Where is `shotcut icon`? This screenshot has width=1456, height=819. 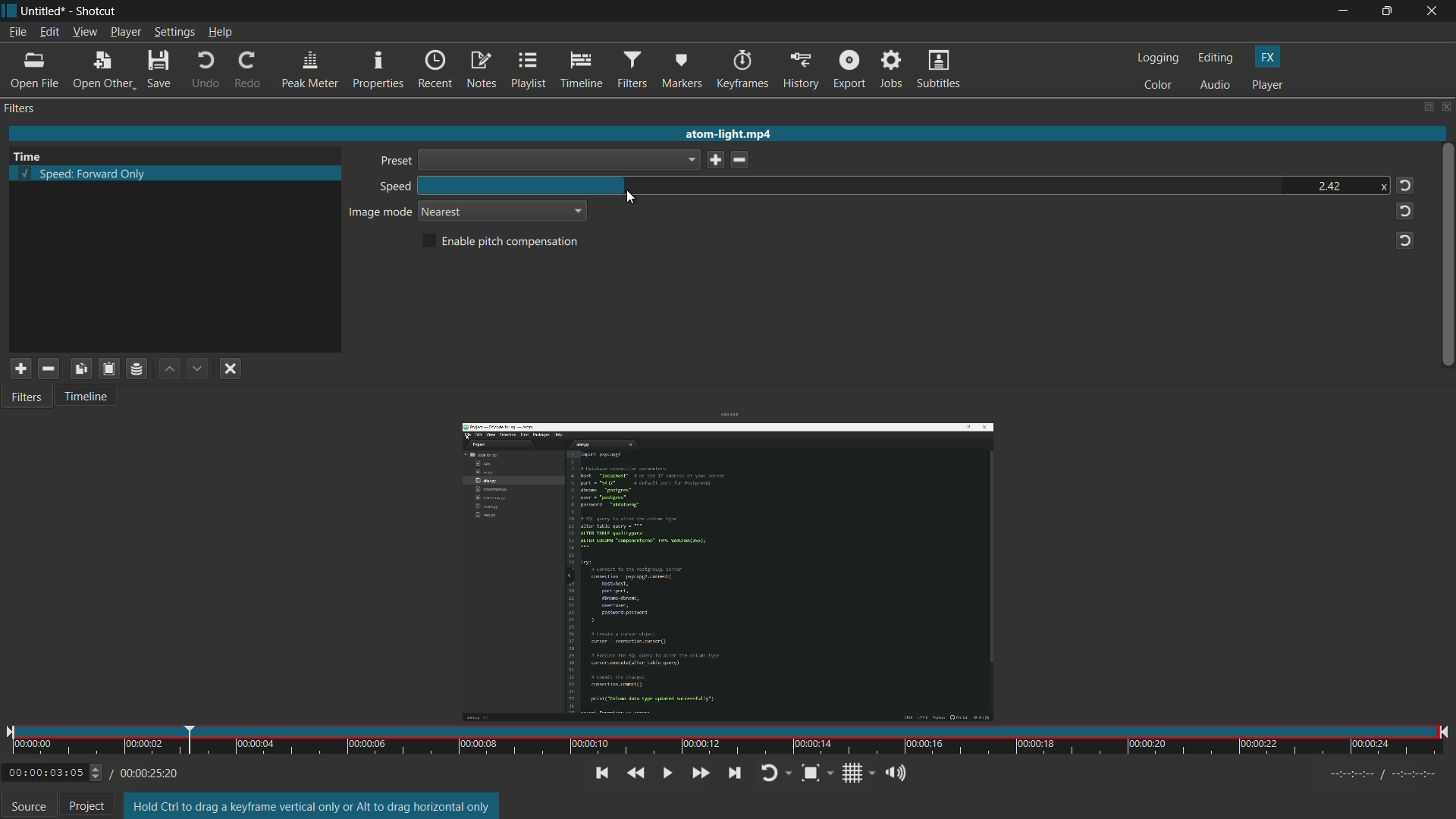
shotcut icon is located at coordinates (9, 10).